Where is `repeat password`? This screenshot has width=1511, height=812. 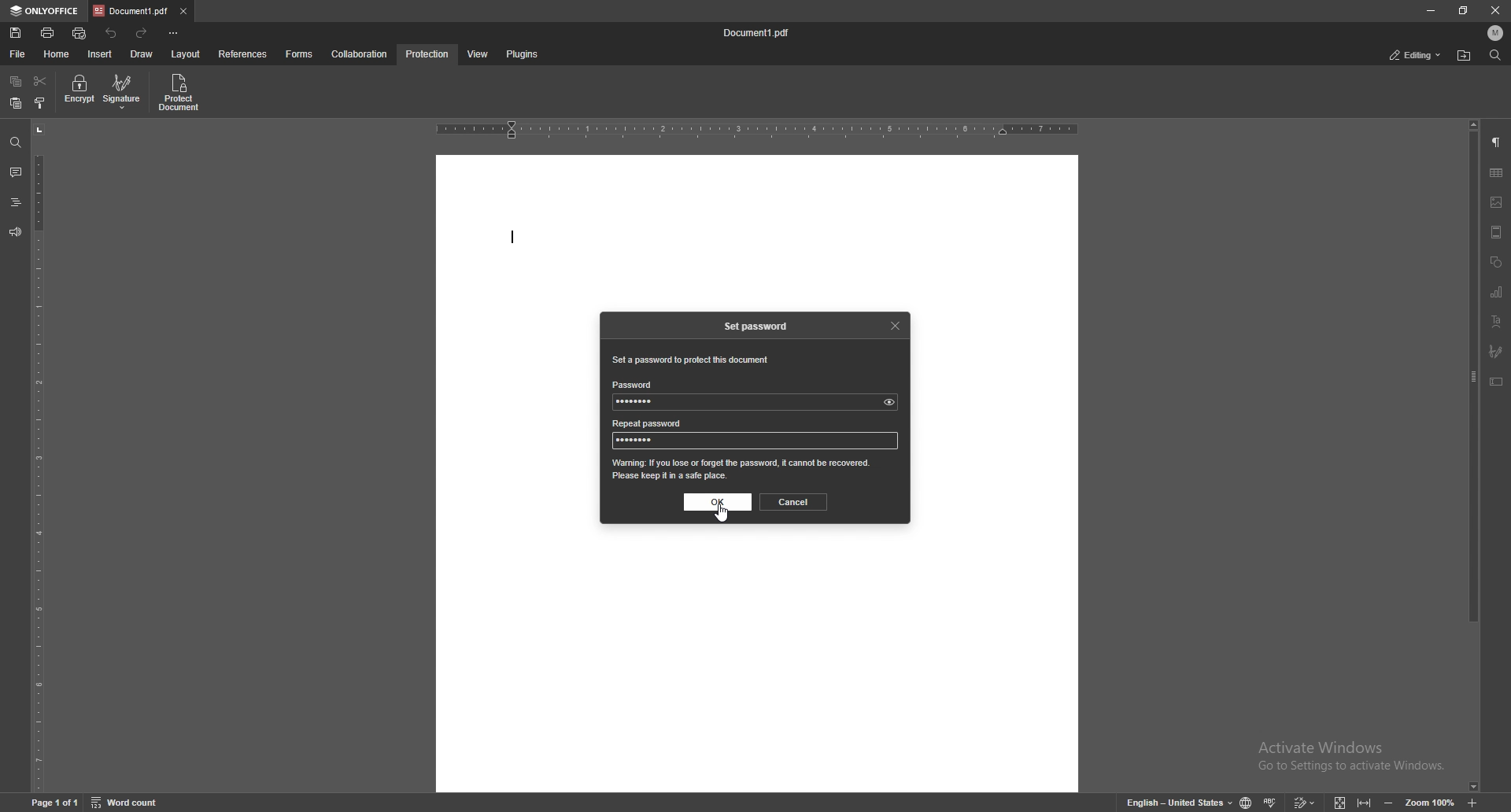
repeat password is located at coordinates (650, 425).